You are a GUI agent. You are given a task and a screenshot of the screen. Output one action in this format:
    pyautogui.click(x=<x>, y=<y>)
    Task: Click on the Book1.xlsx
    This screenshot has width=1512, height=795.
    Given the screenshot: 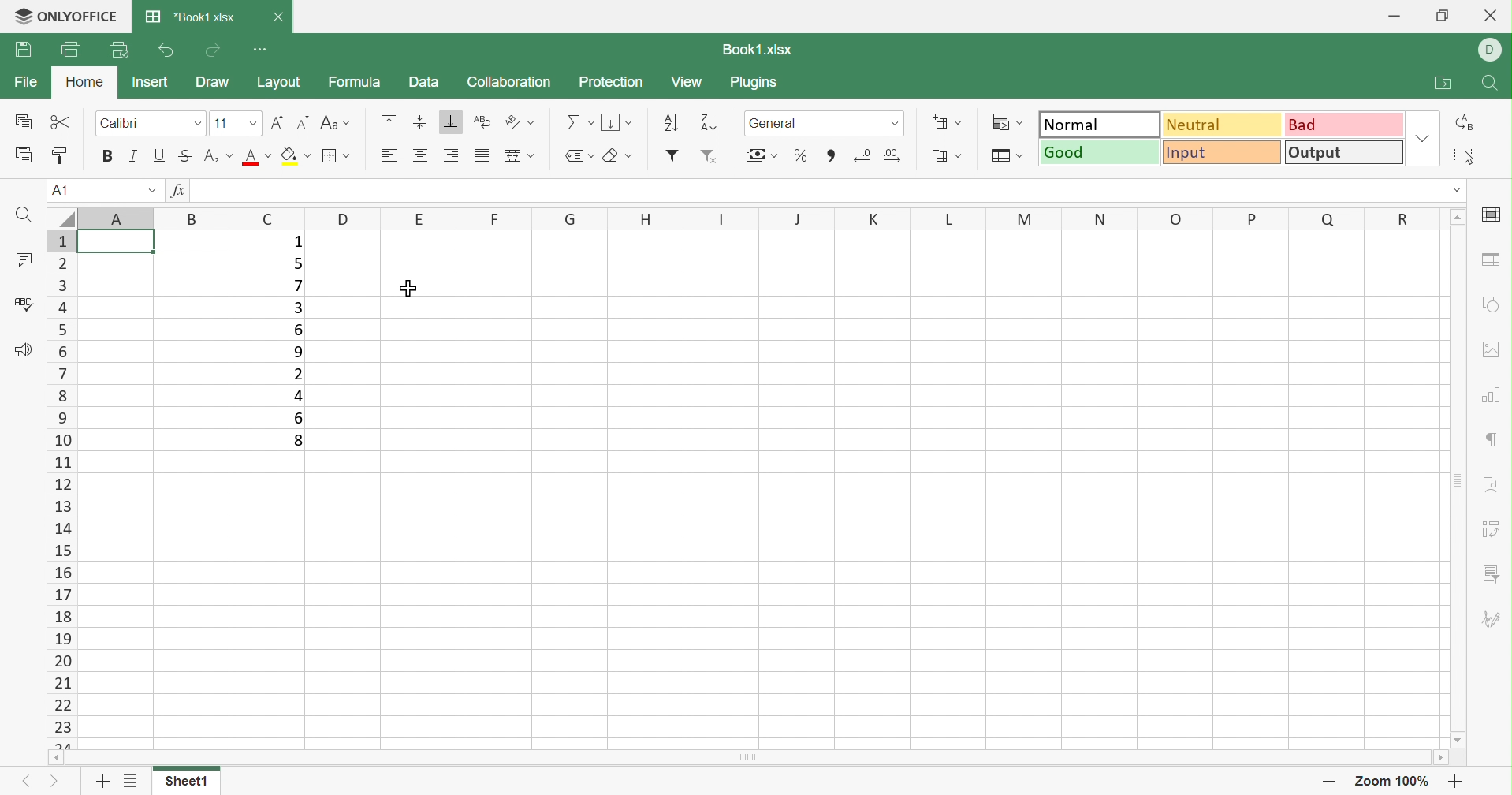 What is the action you would take?
    pyautogui.click(x=759, y=47)
    